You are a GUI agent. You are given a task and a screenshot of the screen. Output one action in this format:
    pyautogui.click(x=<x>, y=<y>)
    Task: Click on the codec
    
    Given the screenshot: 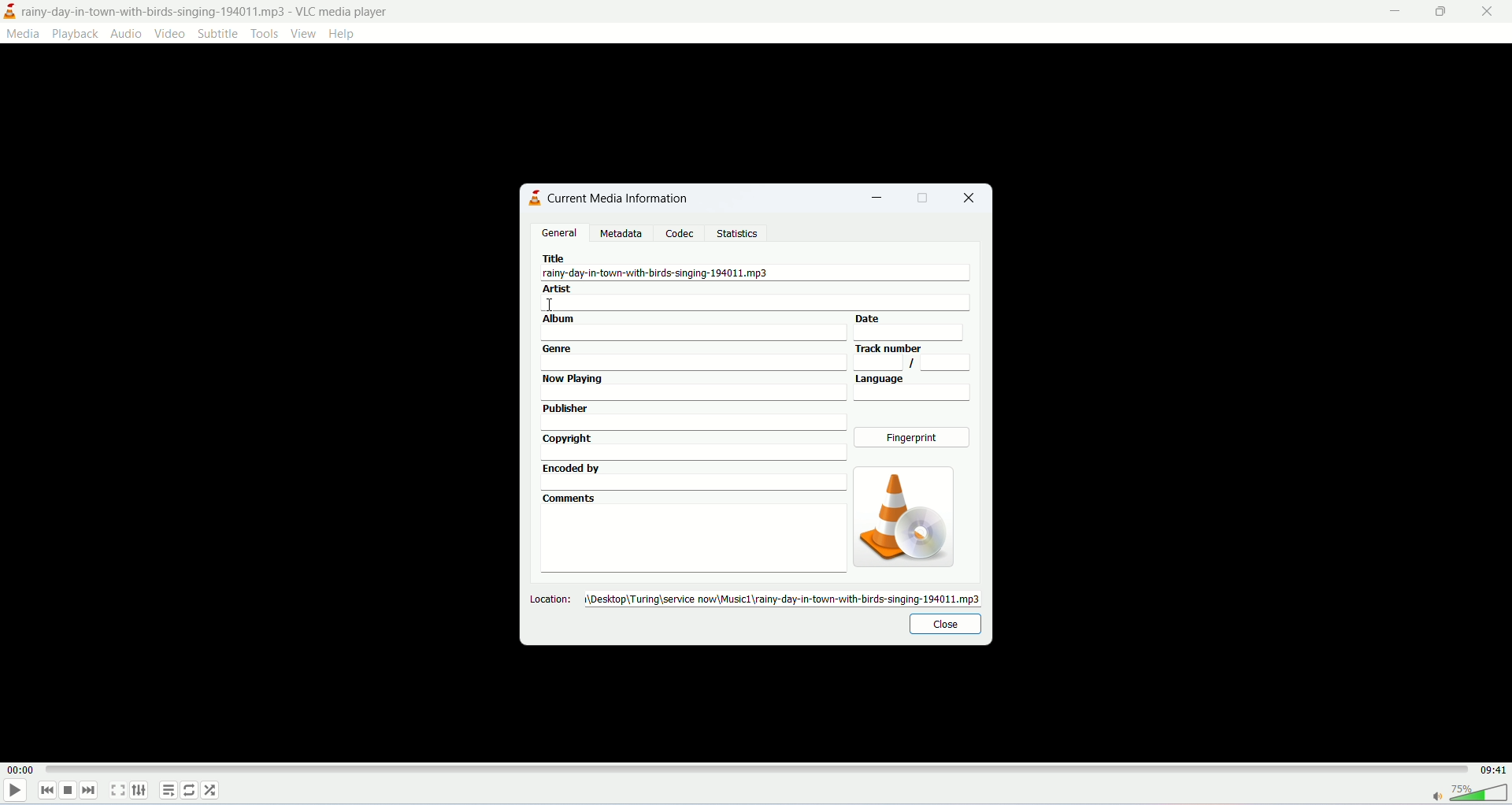 What is the action you would take?
    pyautogui.click(x=684, y=233)
    